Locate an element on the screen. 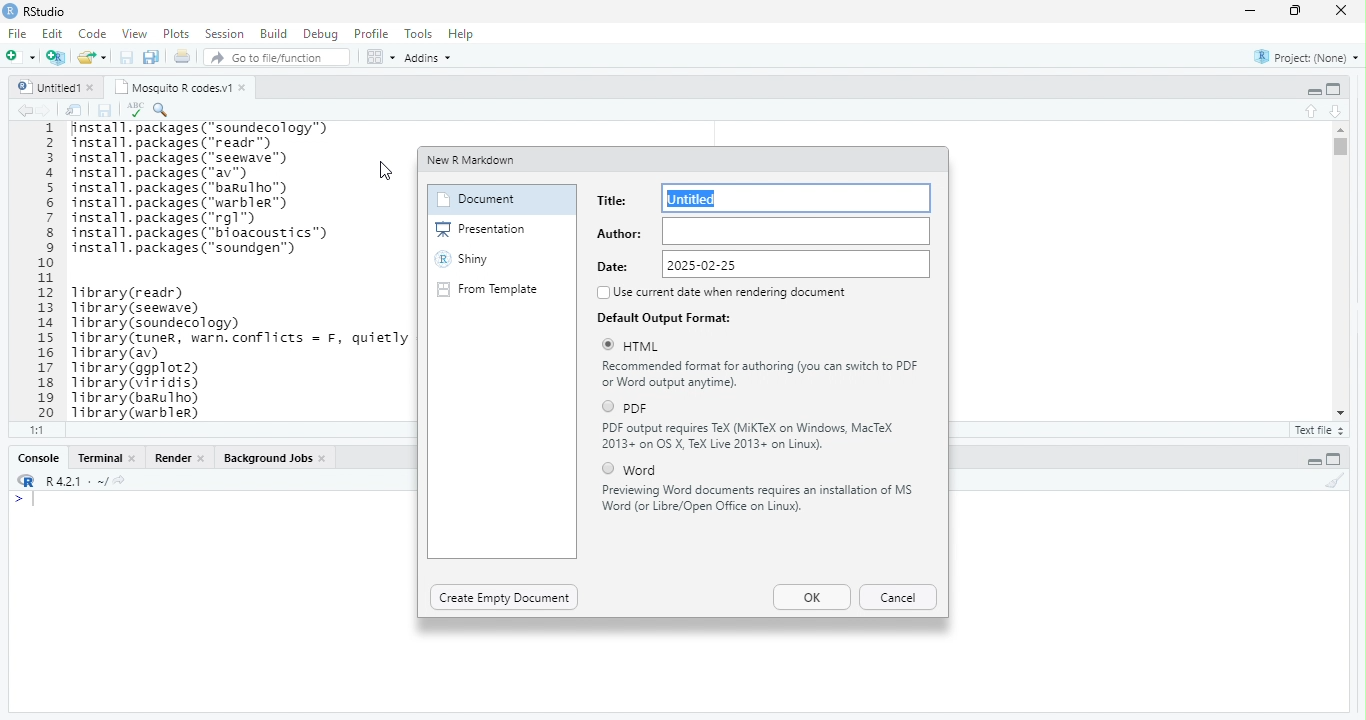 The image size is (1366, 720). Document is located at coordinates (476, 200).